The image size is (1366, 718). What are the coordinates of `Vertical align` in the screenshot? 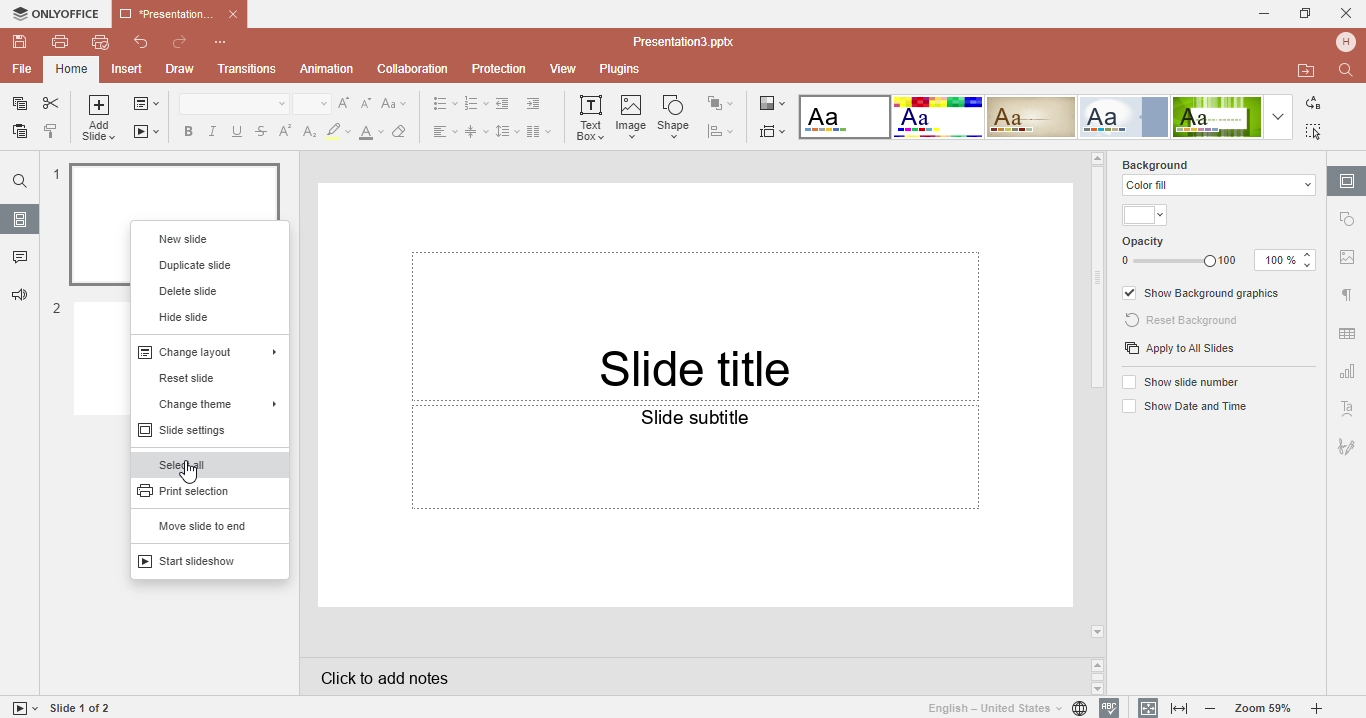 It's located at (477, 131).